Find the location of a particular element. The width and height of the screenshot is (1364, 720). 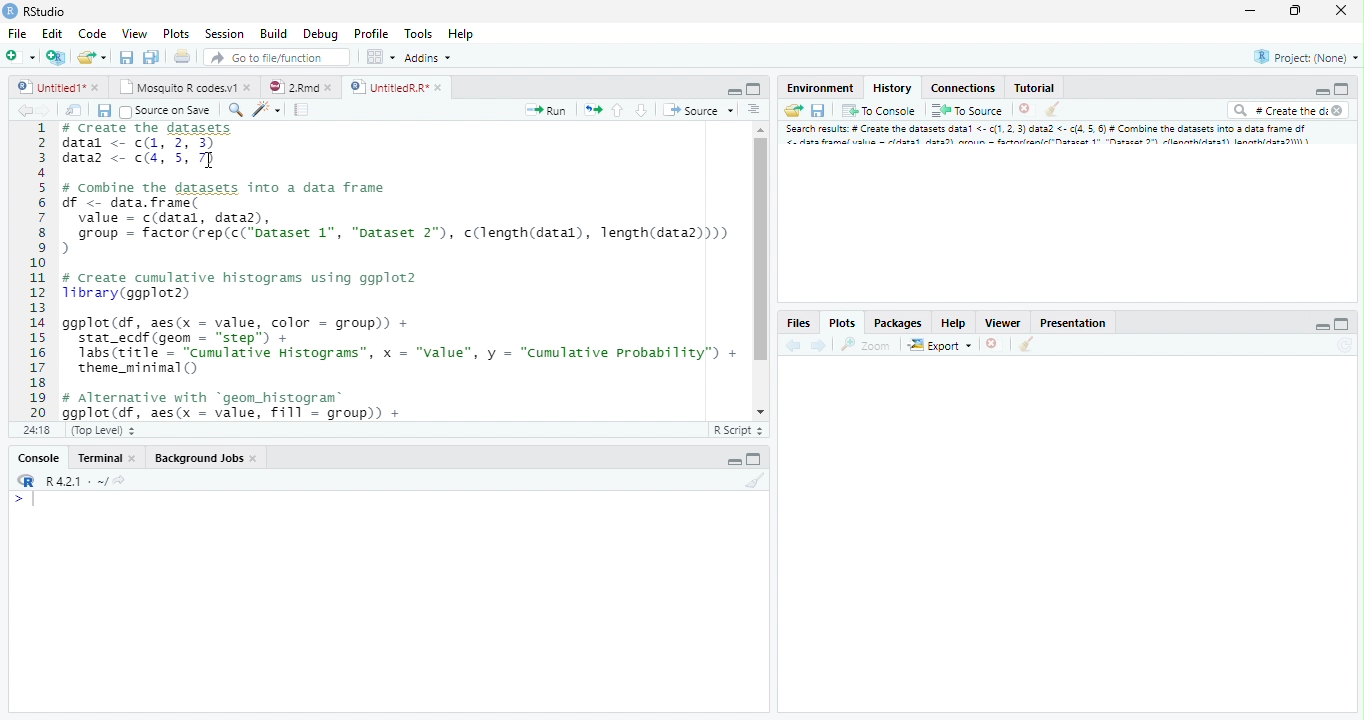

New file is located at coordinates (20, 55).